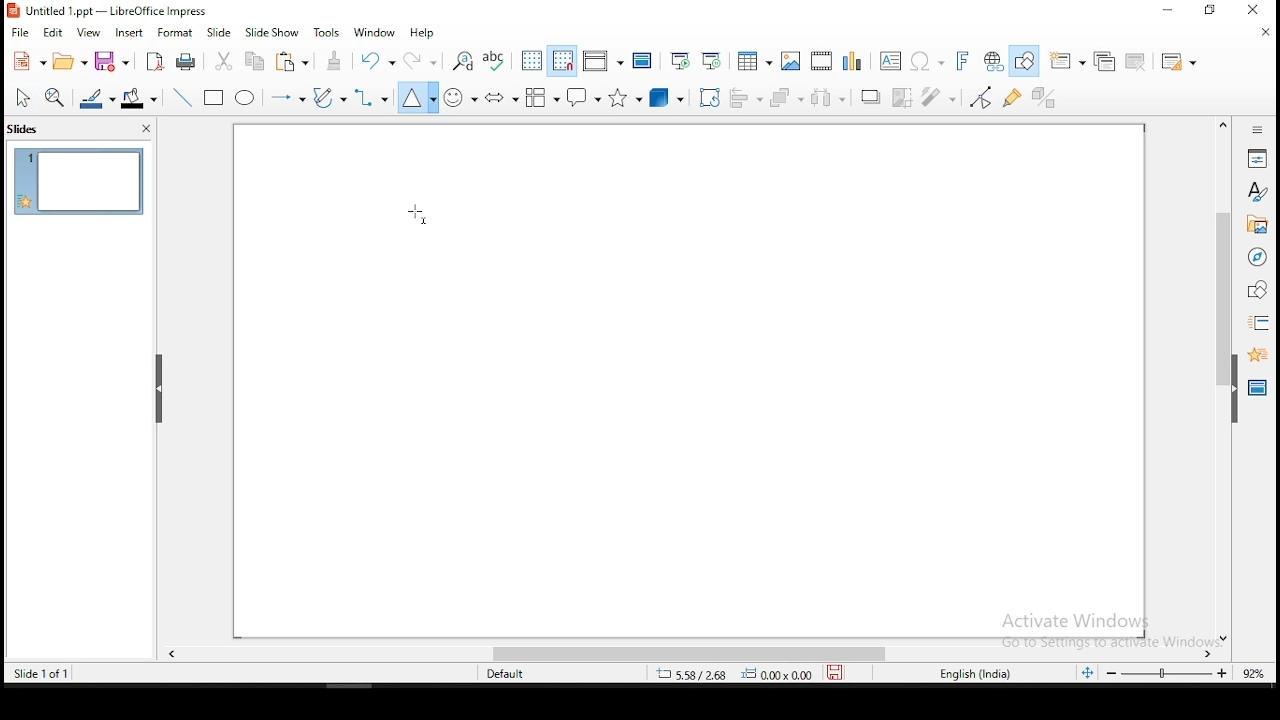 The width and height of the screenshot is (1280, 720). Describe the element at coordinates (220, 30) in the screenshot. I see `slide` at that location.